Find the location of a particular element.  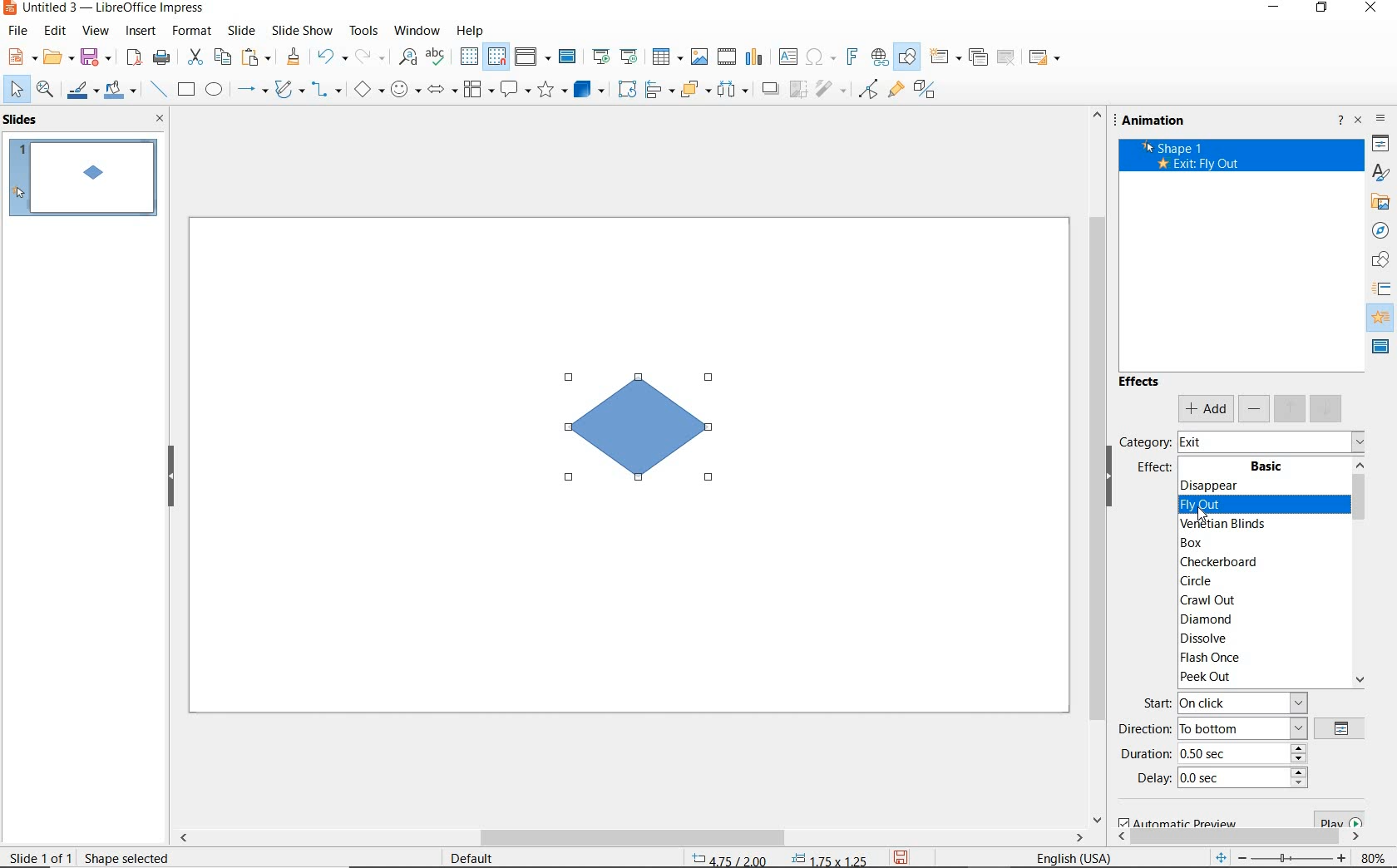

insert frontwork text is located at coordinates (852, 57).